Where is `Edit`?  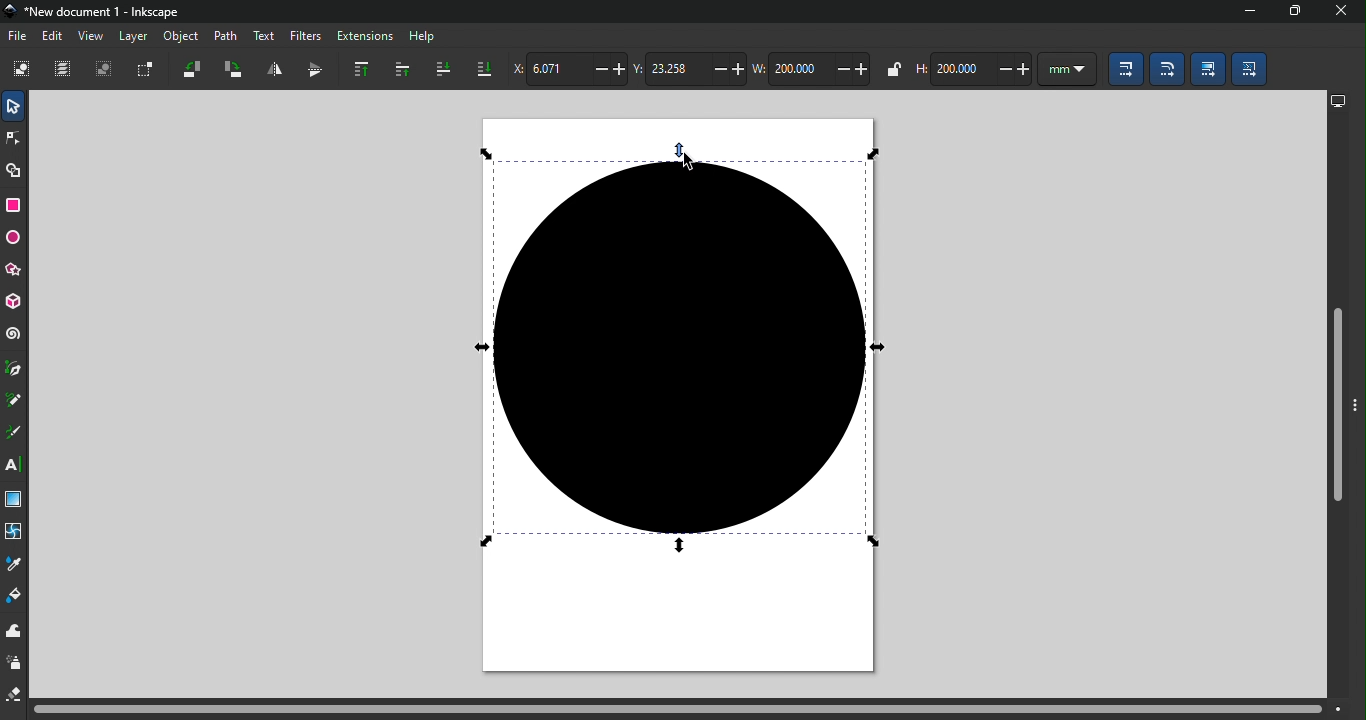 Edit is located at coordinates (53, 35).